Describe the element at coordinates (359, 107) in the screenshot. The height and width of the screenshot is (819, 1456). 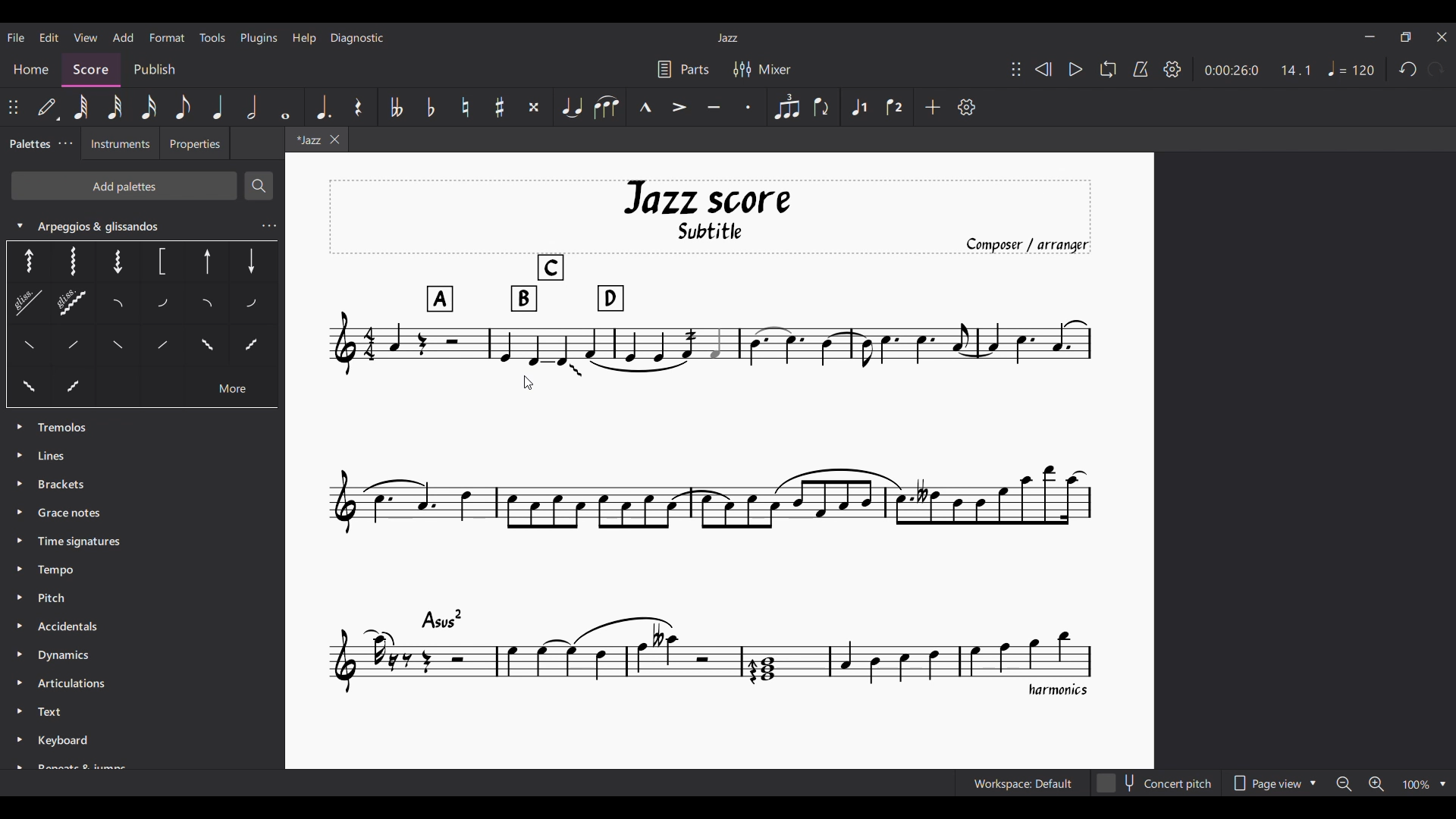
I see `Rest` at that location.